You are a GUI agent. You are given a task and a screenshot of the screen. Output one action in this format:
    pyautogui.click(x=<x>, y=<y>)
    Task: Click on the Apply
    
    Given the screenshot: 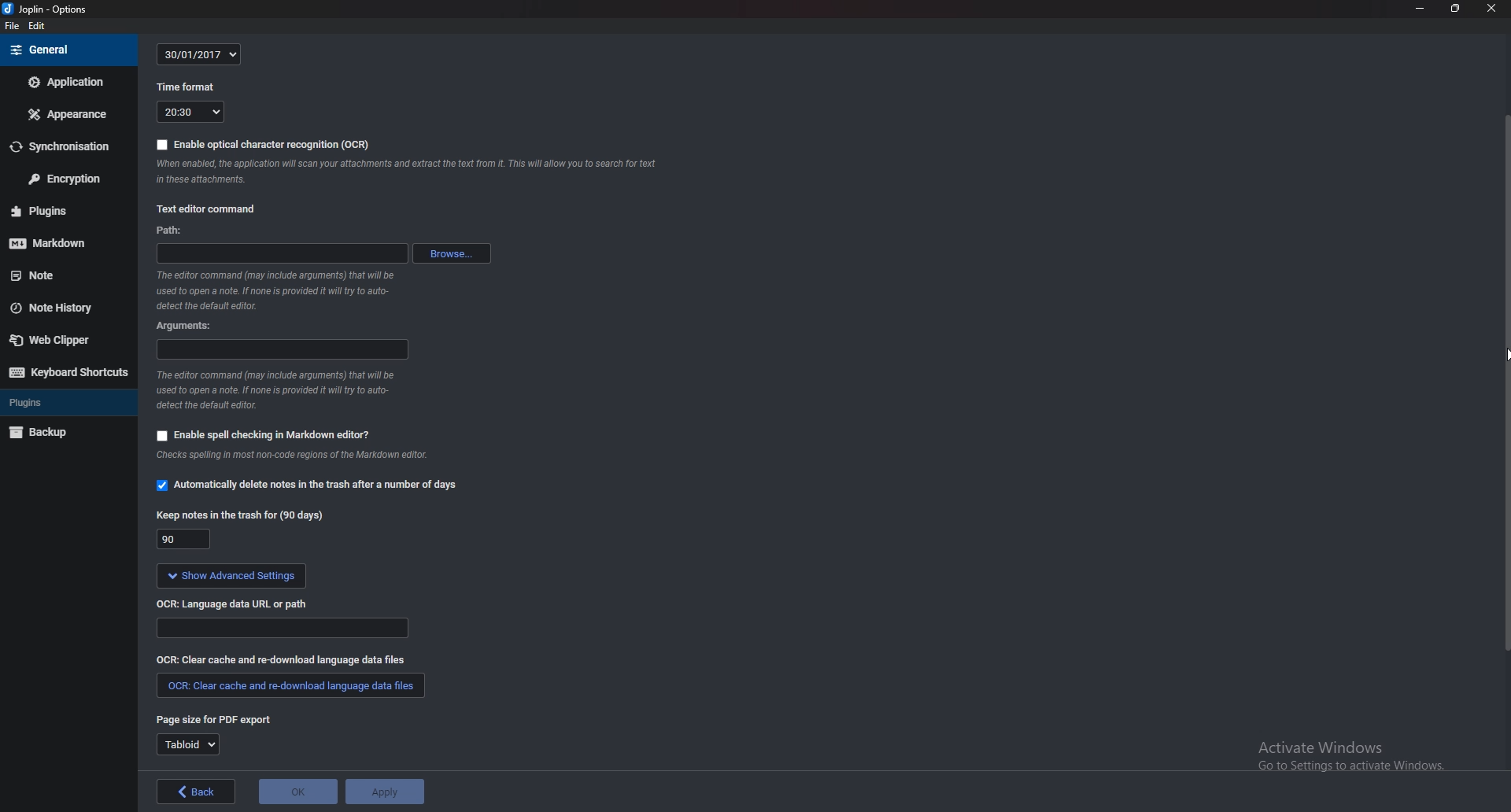 What is the action you would take?
    pyautogui.click(x=386, y=791)
    